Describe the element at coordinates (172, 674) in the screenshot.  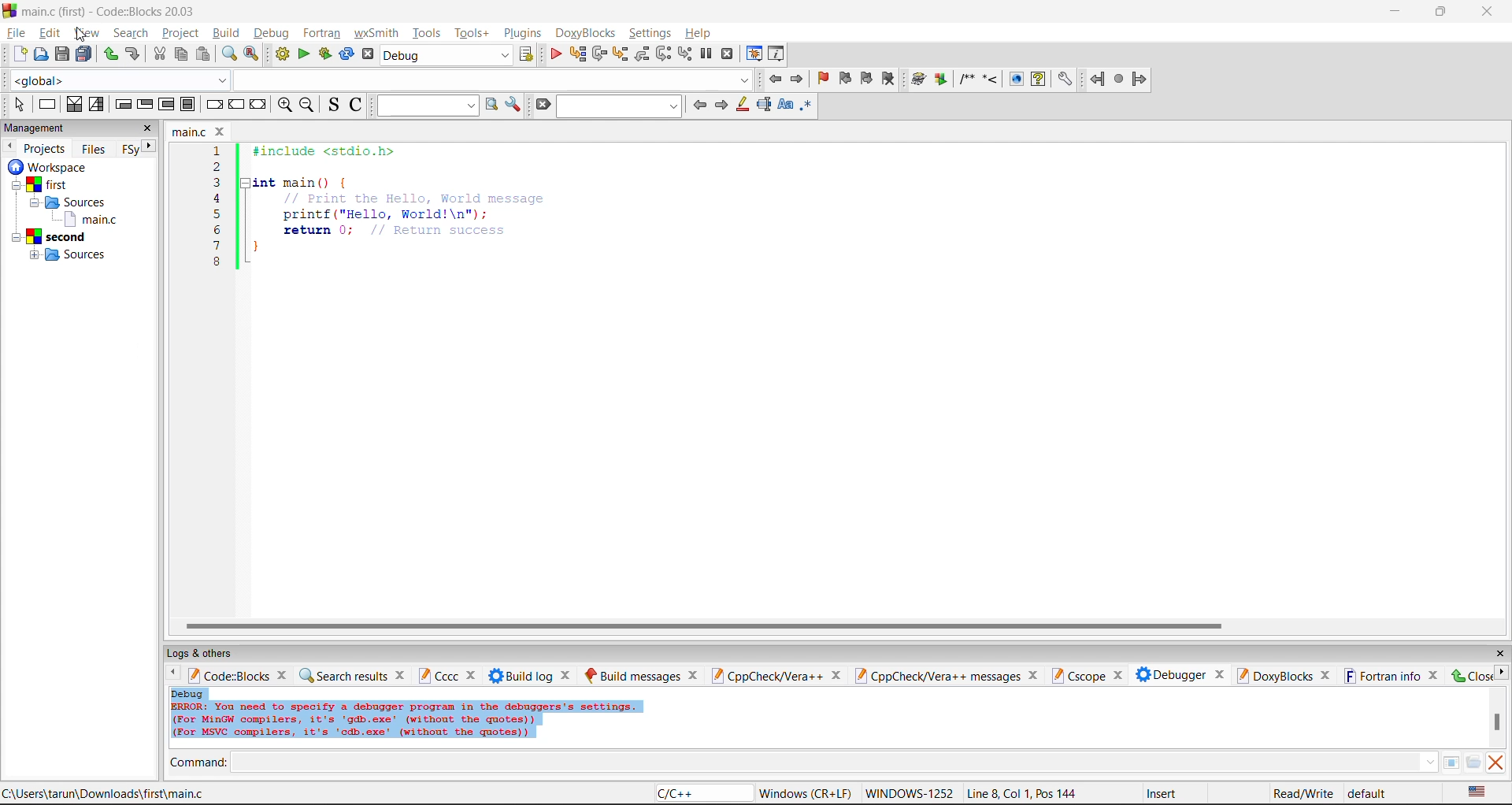
I see `previous` at that location.